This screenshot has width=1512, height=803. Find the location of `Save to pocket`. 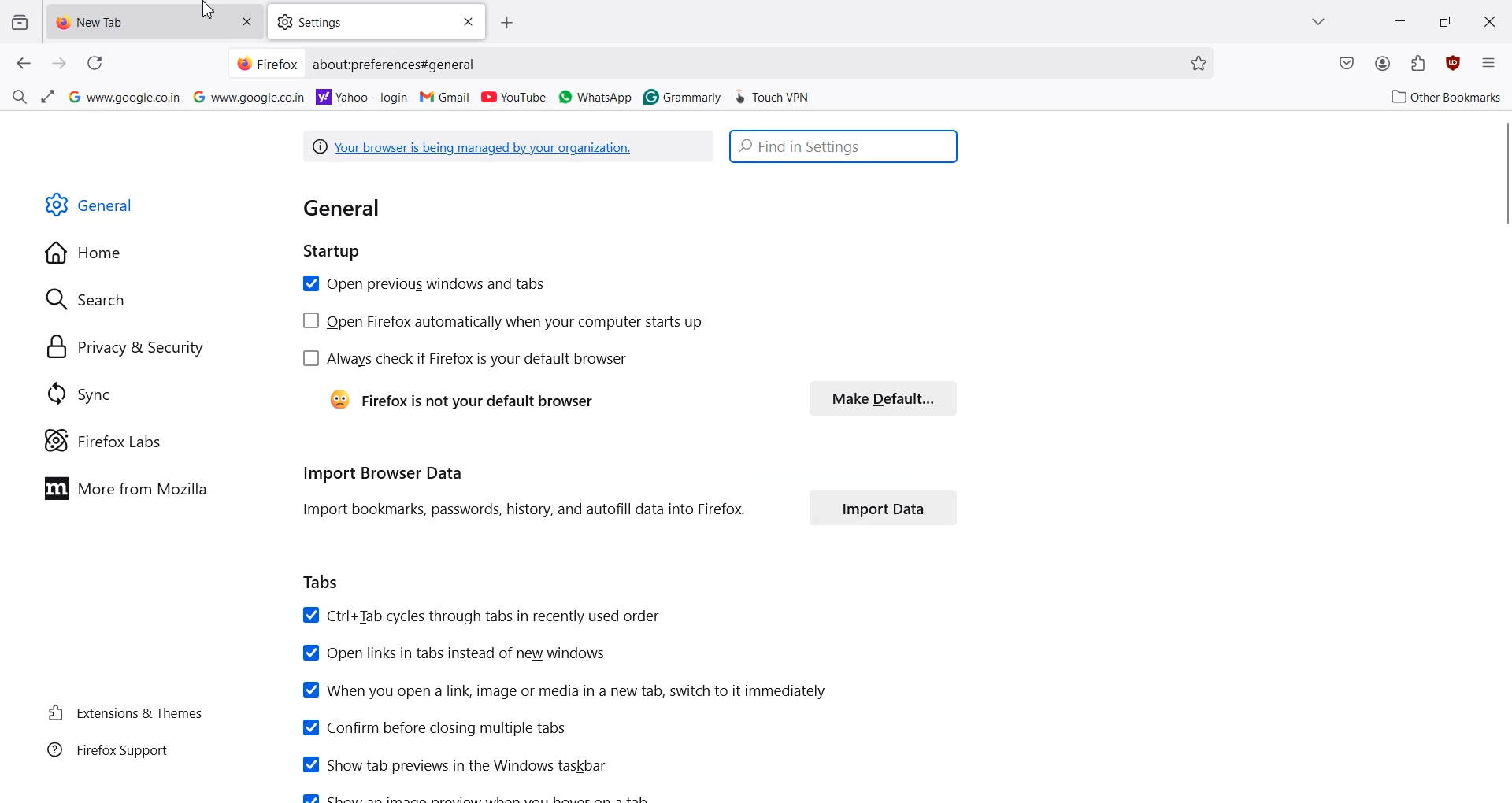

Save to pocket is located at coordinates (1347, 65).